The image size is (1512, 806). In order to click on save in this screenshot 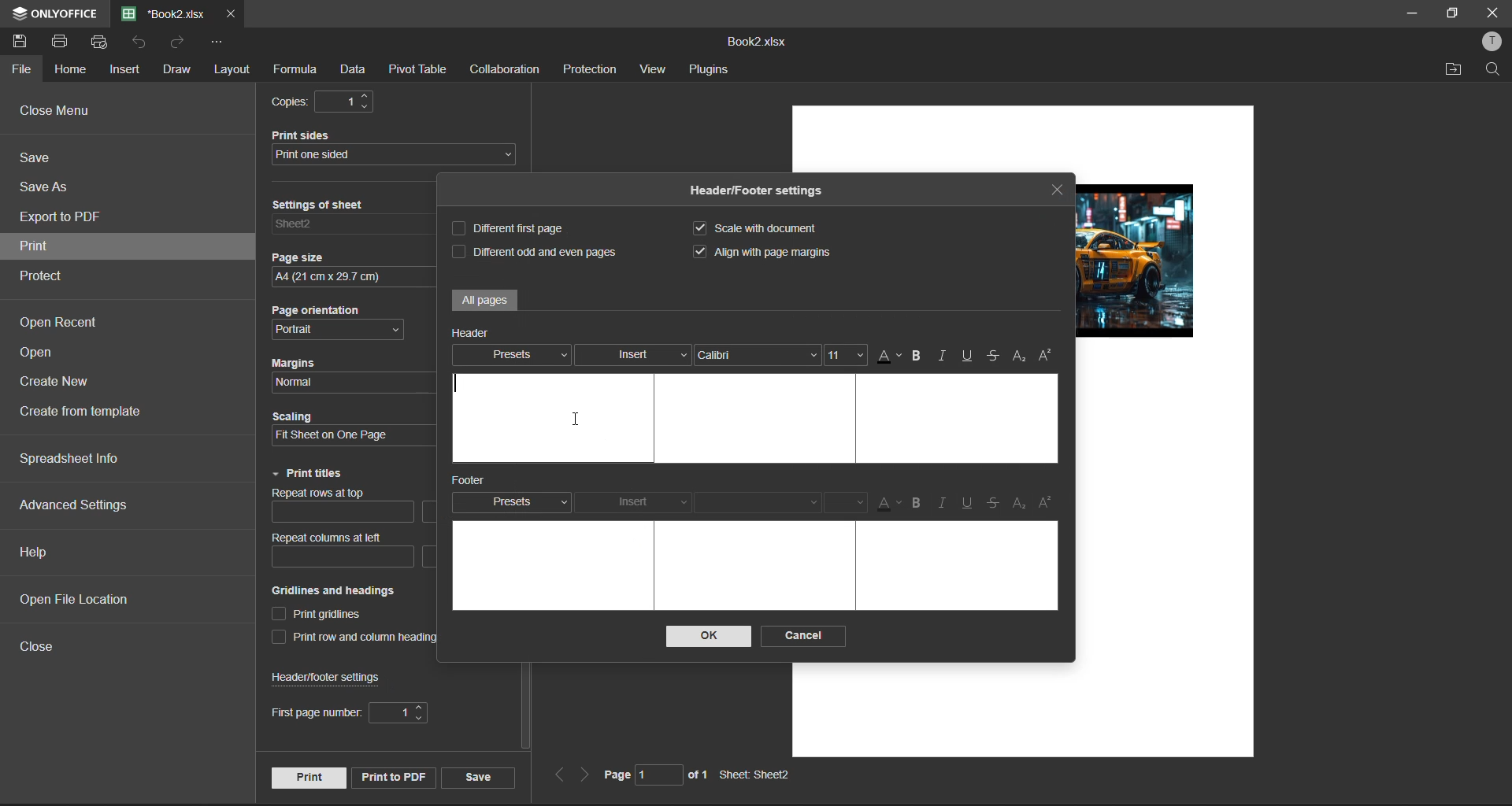, I will do `click(24, 40)`.